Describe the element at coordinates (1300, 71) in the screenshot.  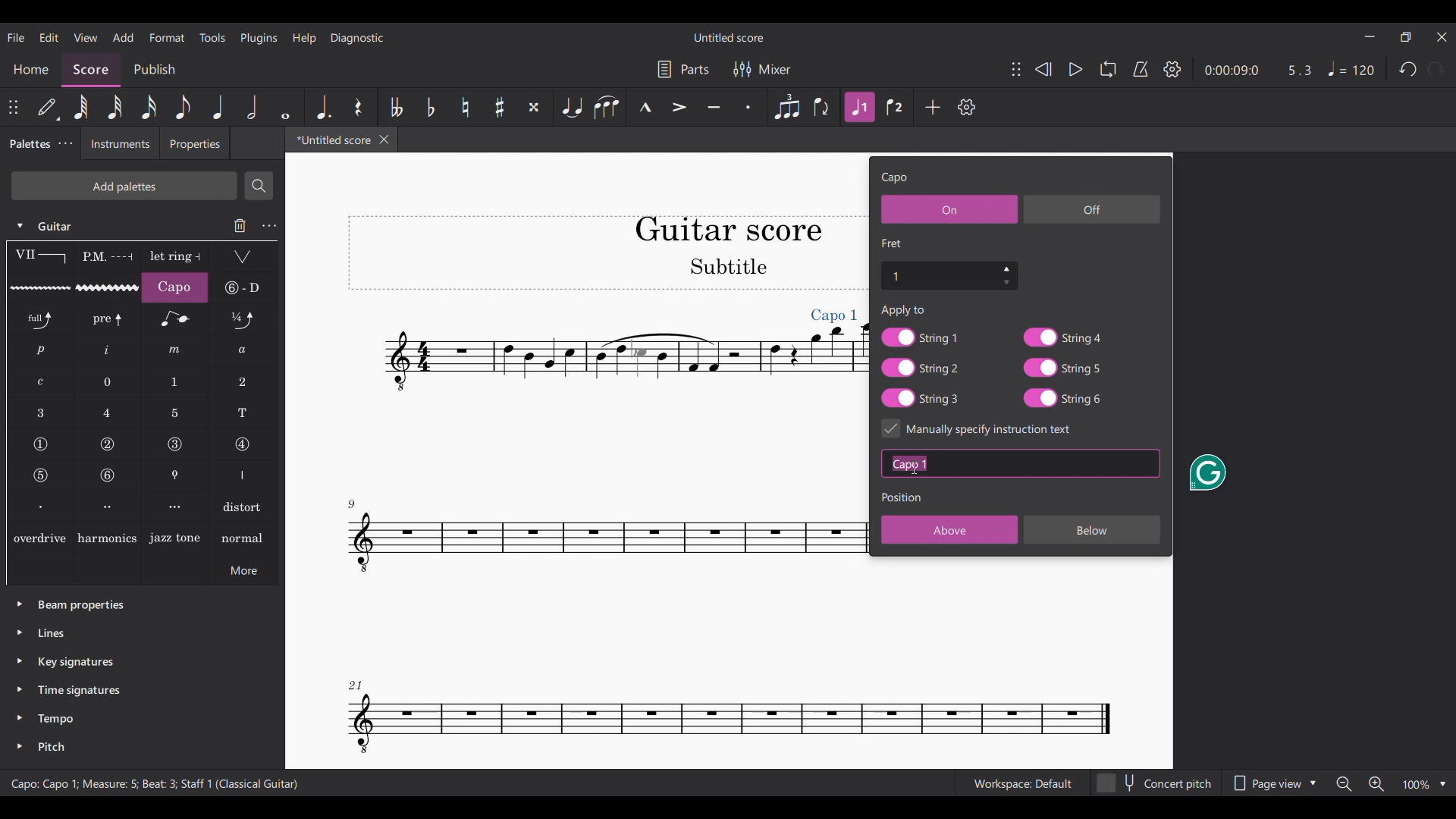
I see `Current ratio` at that location.